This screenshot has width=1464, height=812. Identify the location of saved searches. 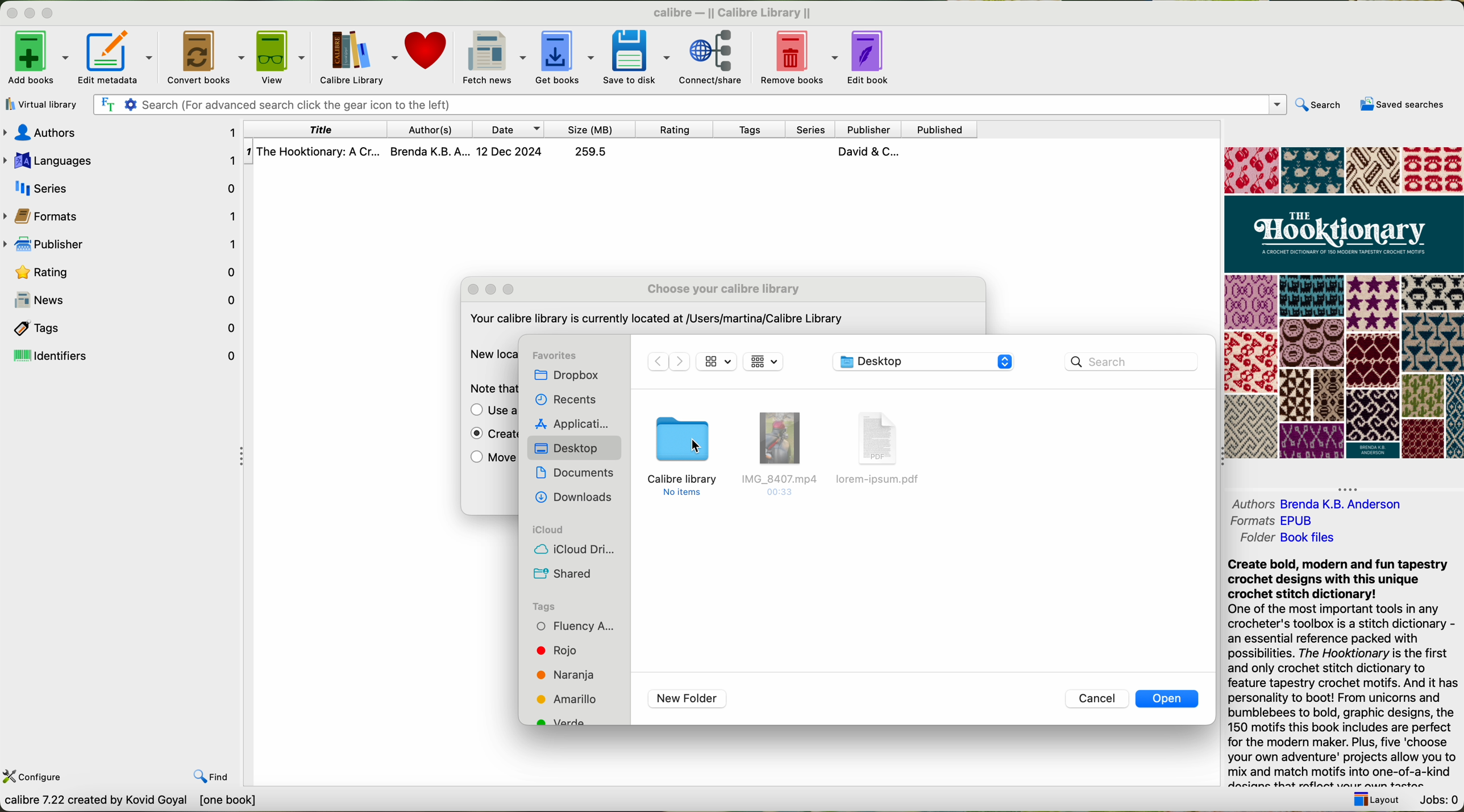
(1401, 105).